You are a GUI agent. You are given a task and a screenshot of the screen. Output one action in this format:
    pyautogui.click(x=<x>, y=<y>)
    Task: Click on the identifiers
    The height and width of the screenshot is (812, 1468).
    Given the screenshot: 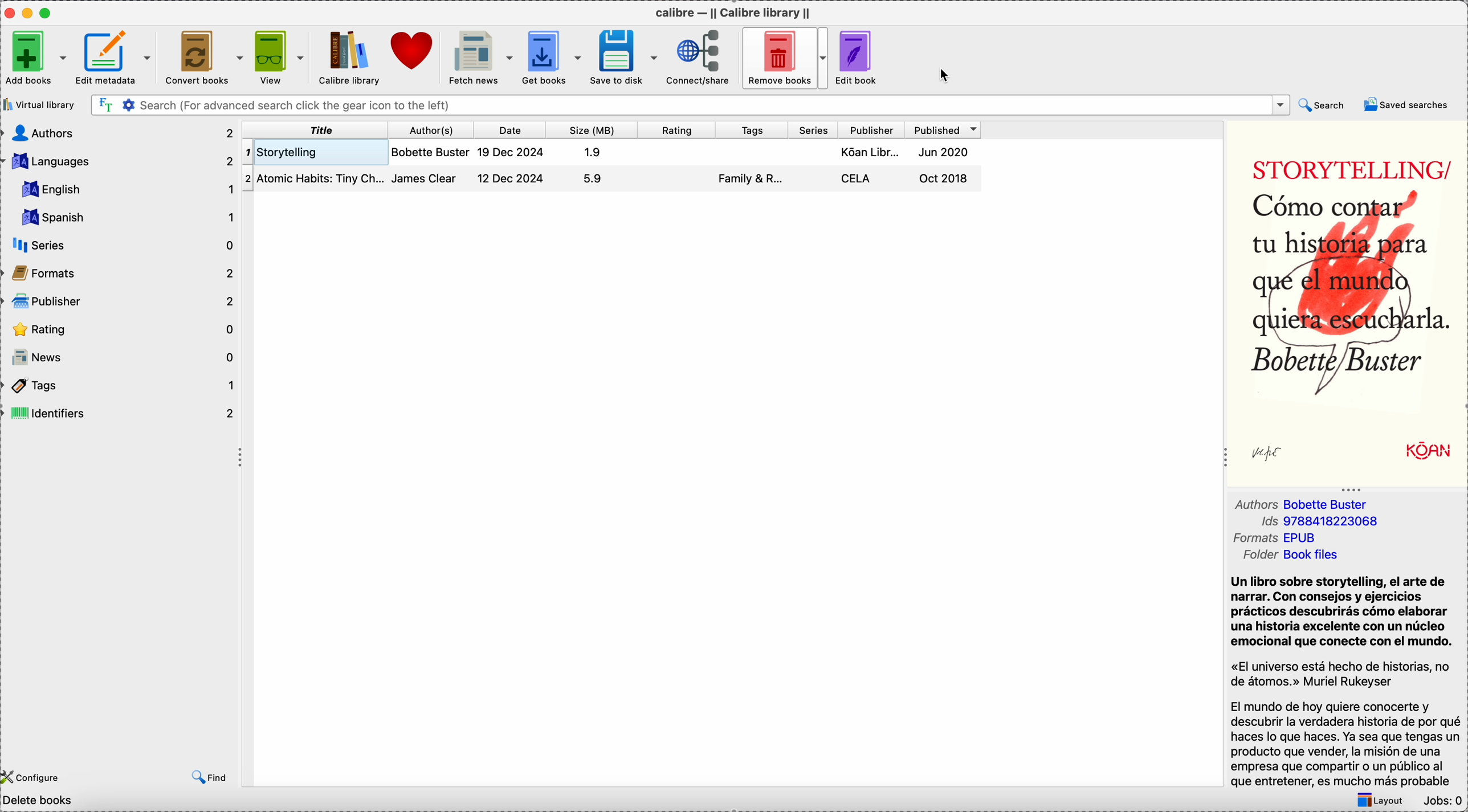 What is the action you would take?
    pyautogui.click(x=120, y=415)
    